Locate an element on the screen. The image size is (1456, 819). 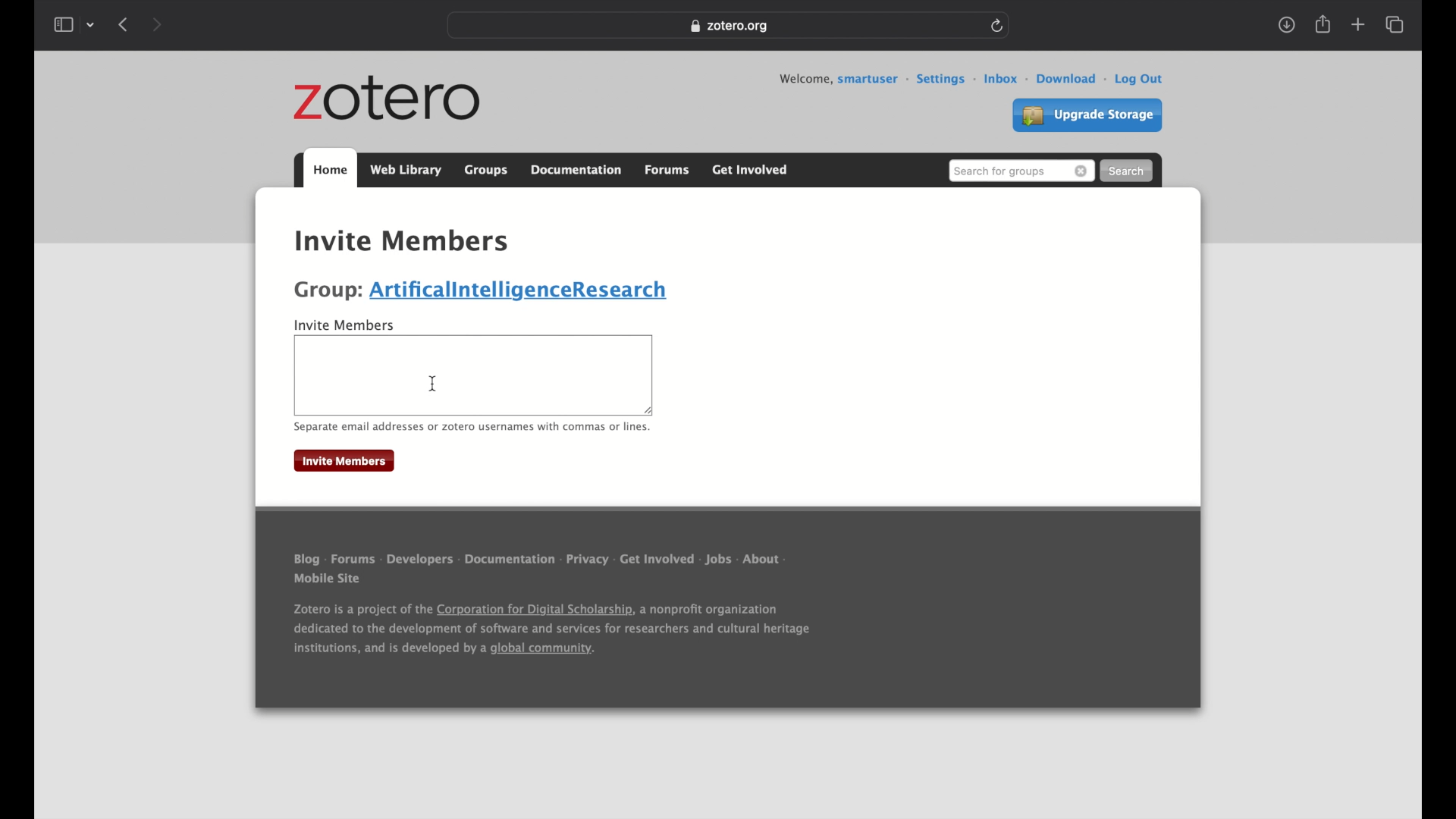
separate email addresses or zotero usernames with commas or lines is located at coordinates (471, 428).